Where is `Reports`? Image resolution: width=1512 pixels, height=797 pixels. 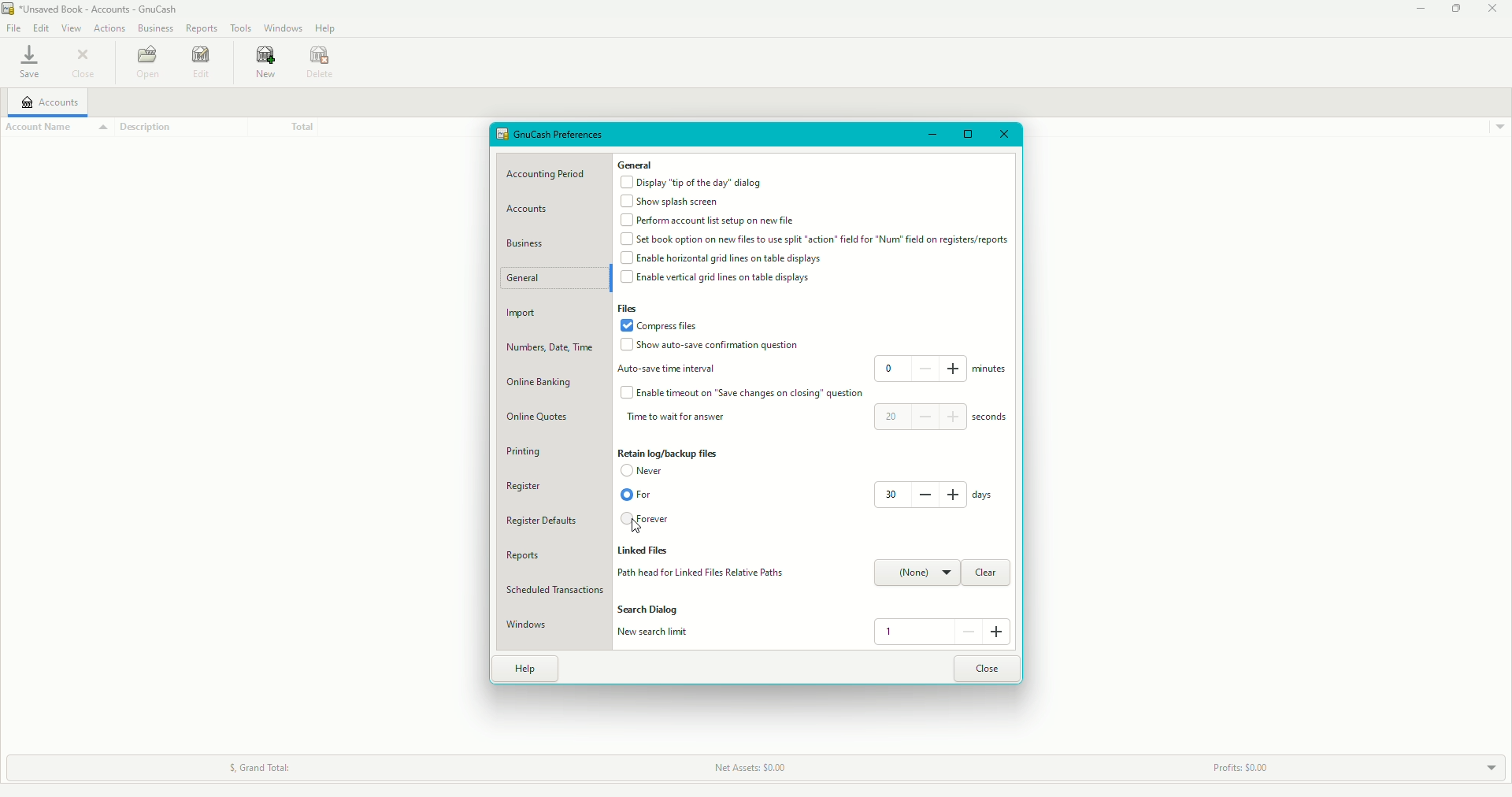 Reports is located at coordinates (520, 556).